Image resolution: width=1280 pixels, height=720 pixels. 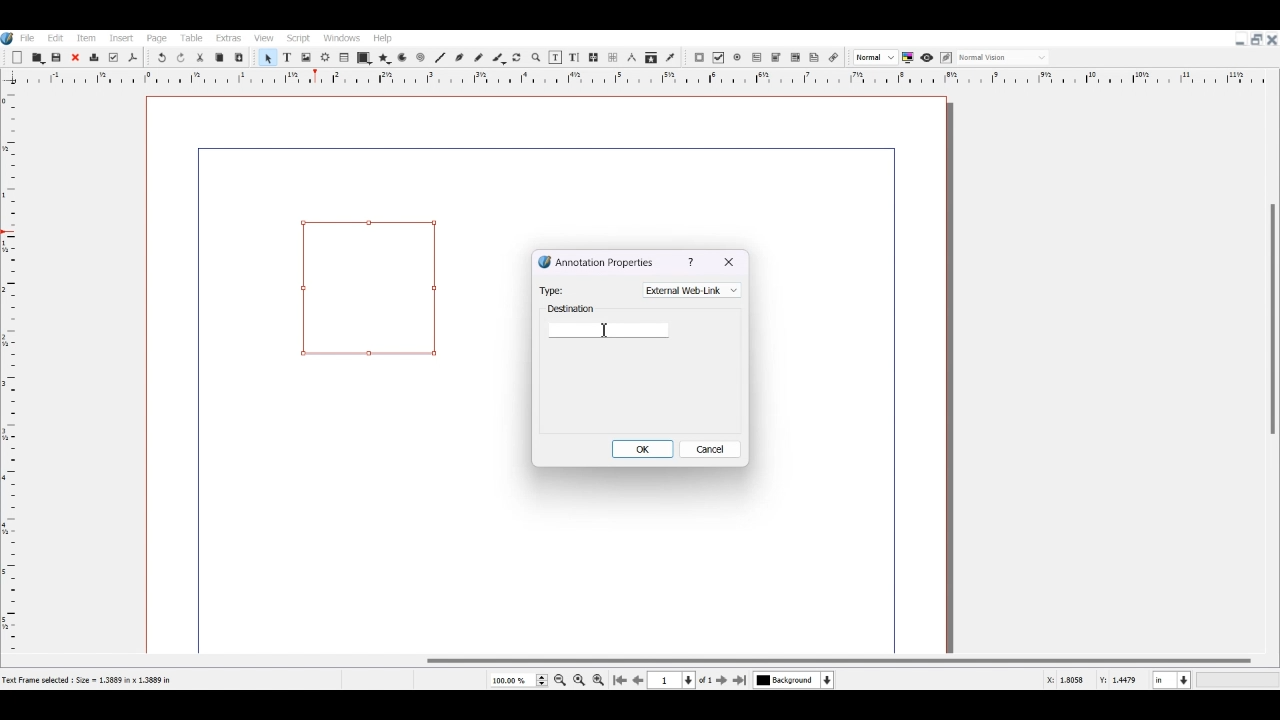 I want to click on Freehand line, so click(x=478, y=57).